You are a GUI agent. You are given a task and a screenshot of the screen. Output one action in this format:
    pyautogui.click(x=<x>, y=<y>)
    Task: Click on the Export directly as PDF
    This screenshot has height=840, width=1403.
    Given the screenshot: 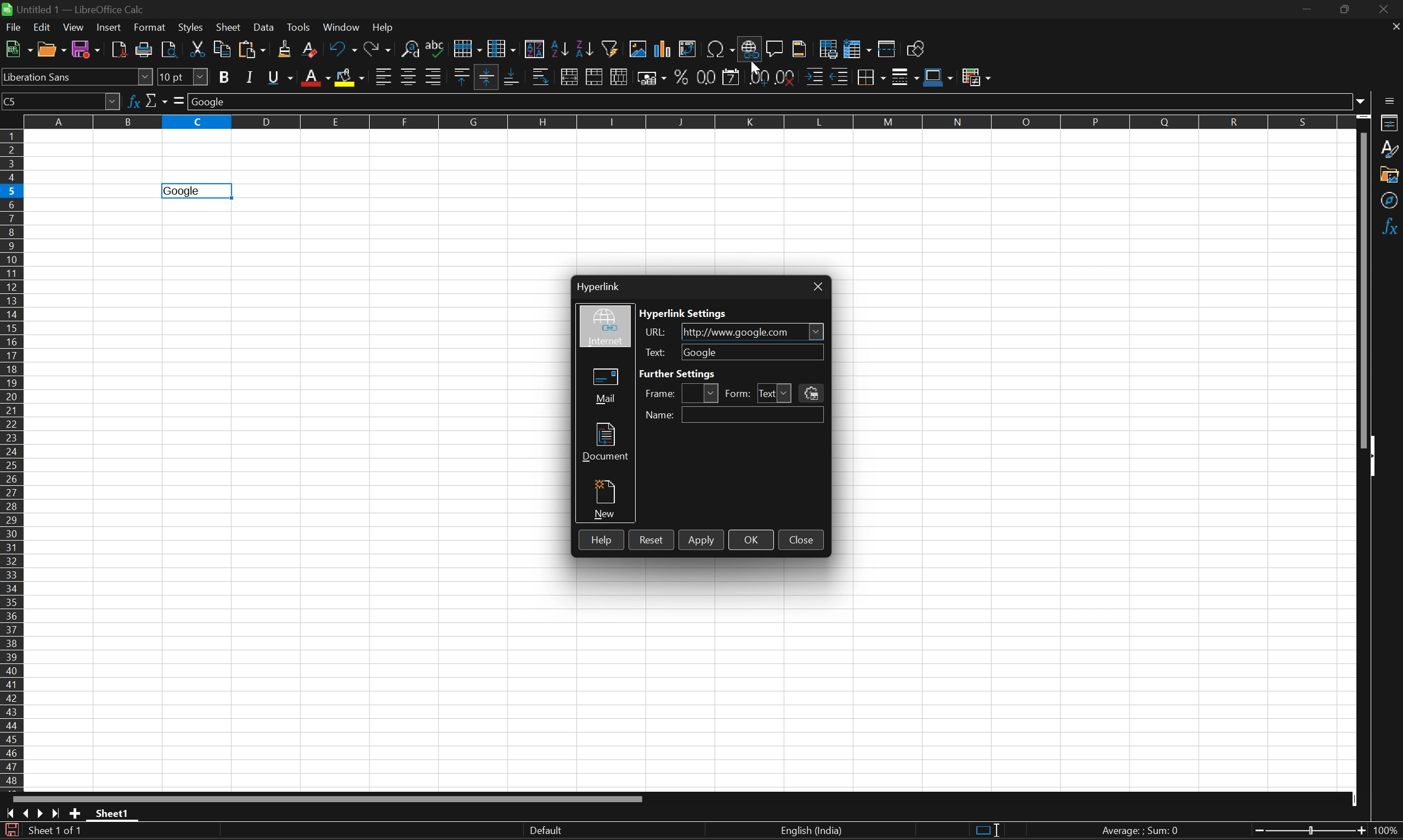 What is the action you would take?
    pyautogui.click(x=119, y=49)
    